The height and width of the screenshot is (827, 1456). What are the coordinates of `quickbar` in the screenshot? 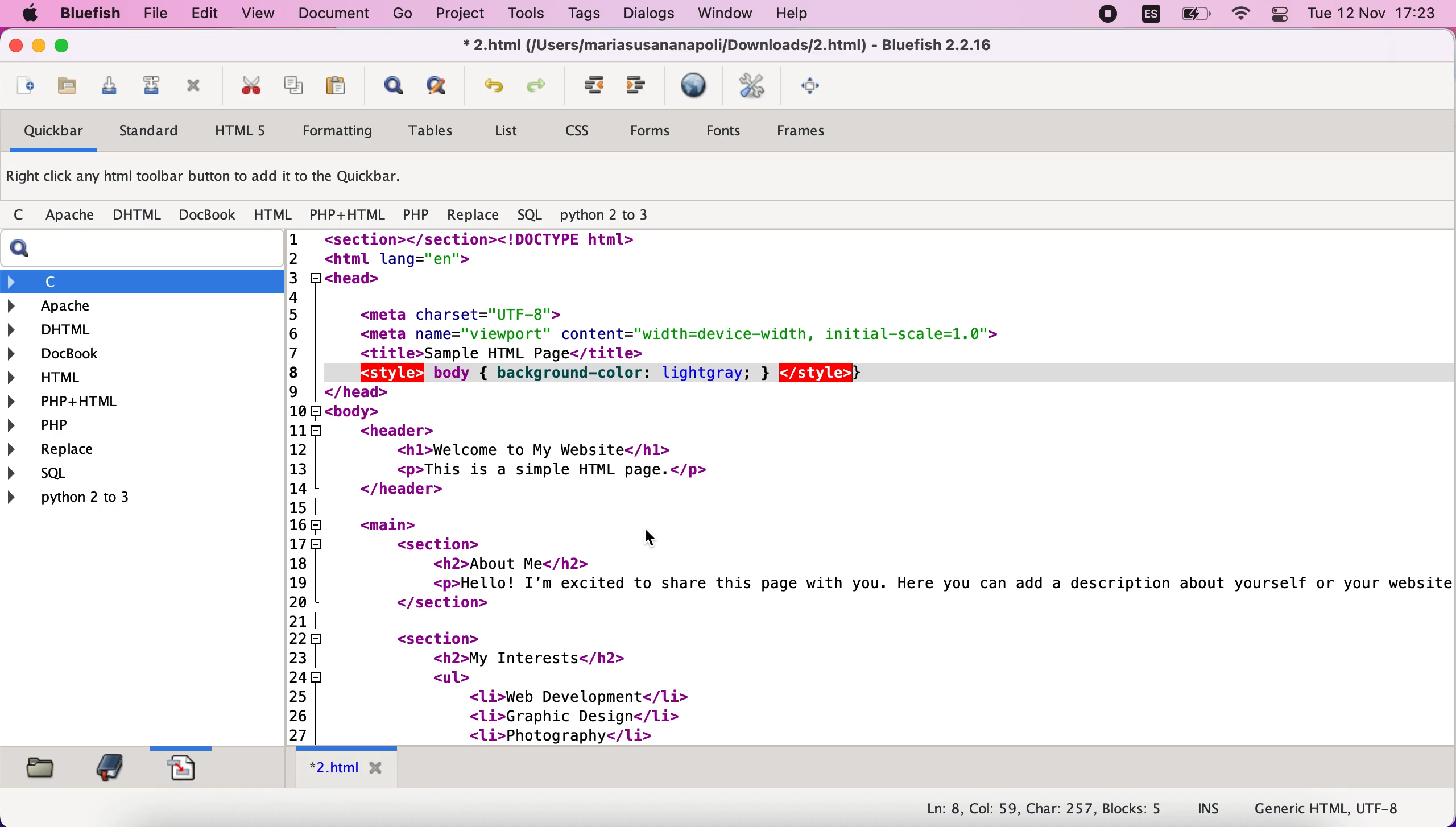 It's located at (53, 132).